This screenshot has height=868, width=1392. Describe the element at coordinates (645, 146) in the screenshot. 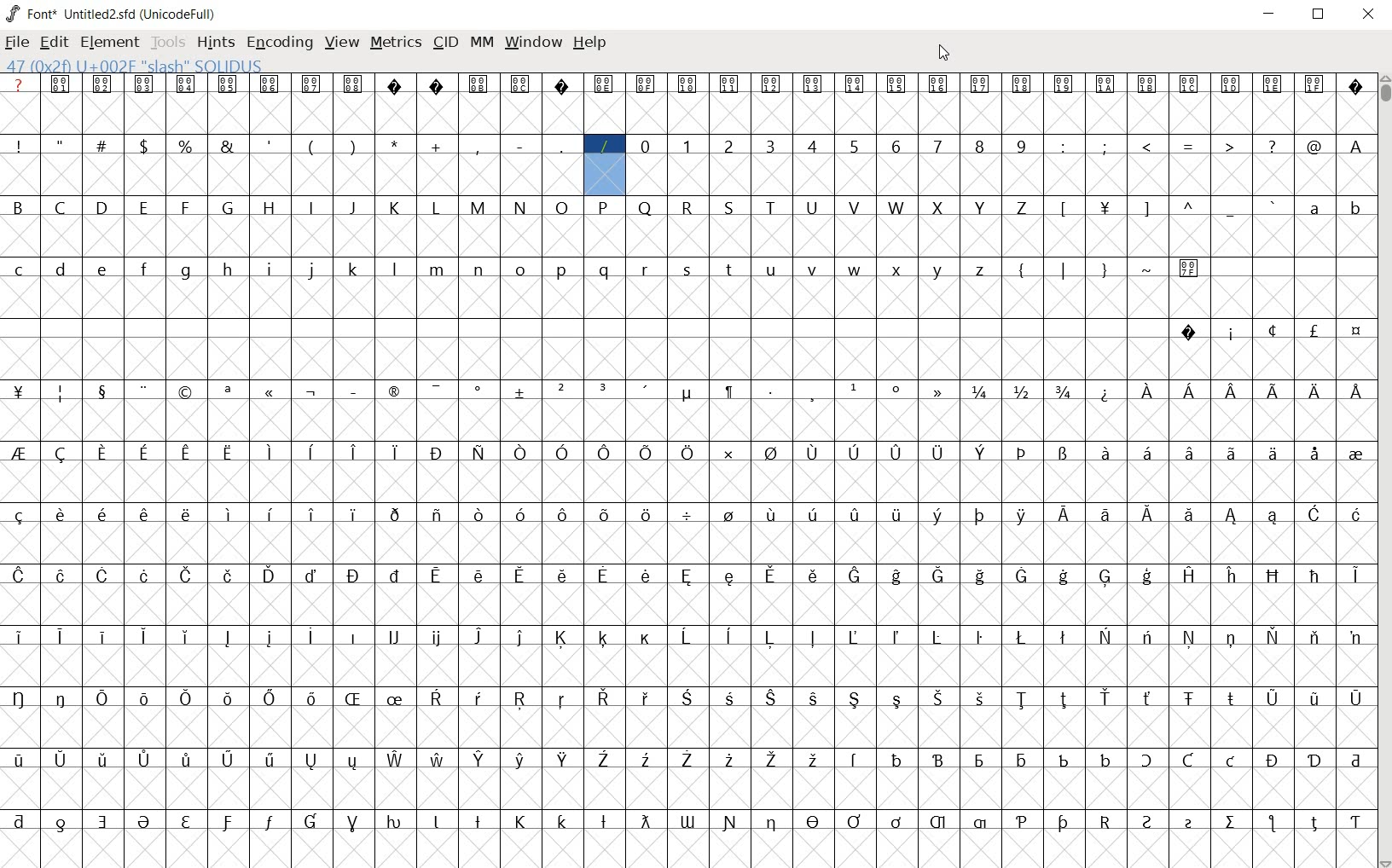

I see `glyph` at that location.